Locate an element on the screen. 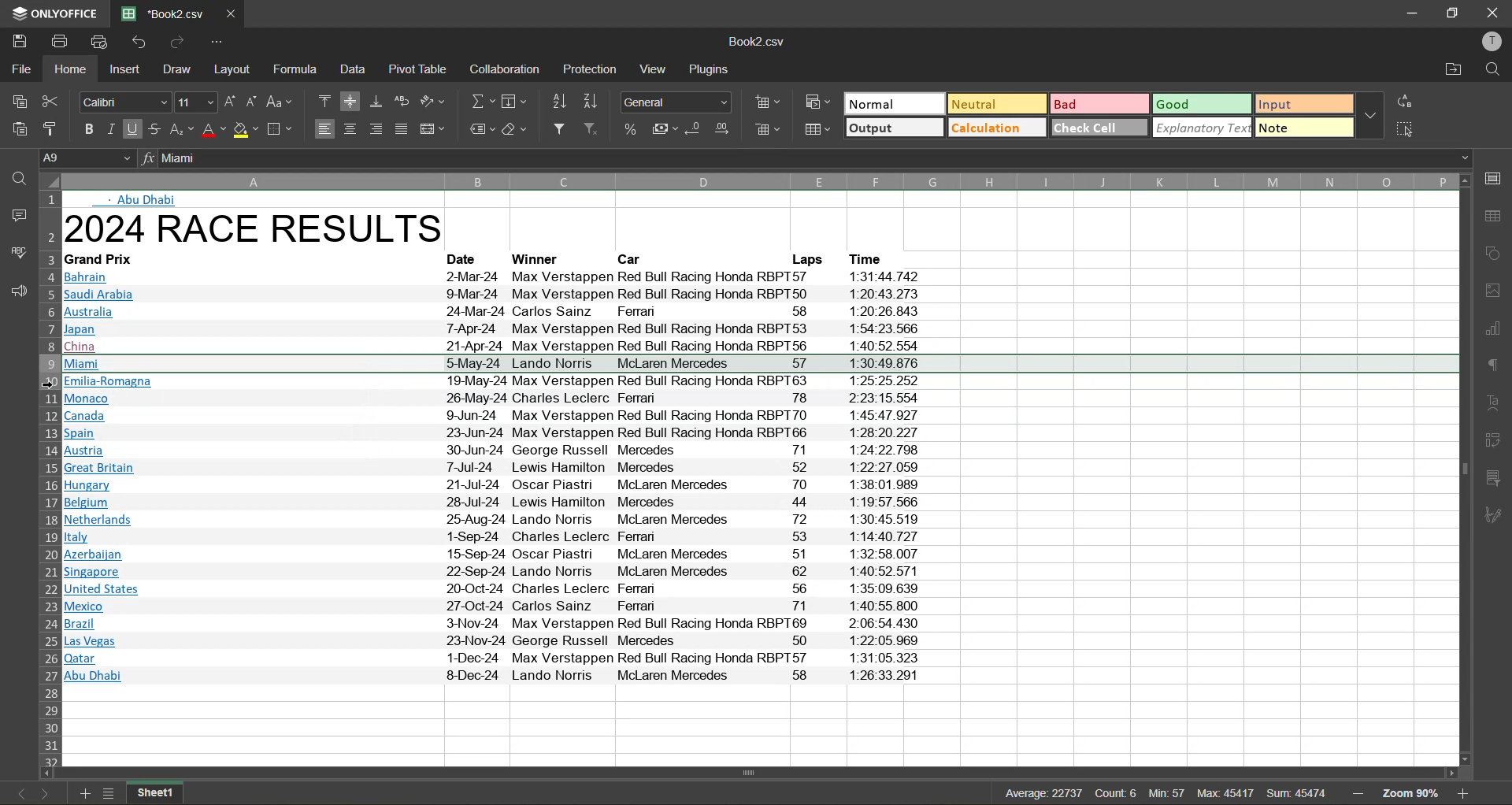  select whole sheet is located at coordinates (49, 182).